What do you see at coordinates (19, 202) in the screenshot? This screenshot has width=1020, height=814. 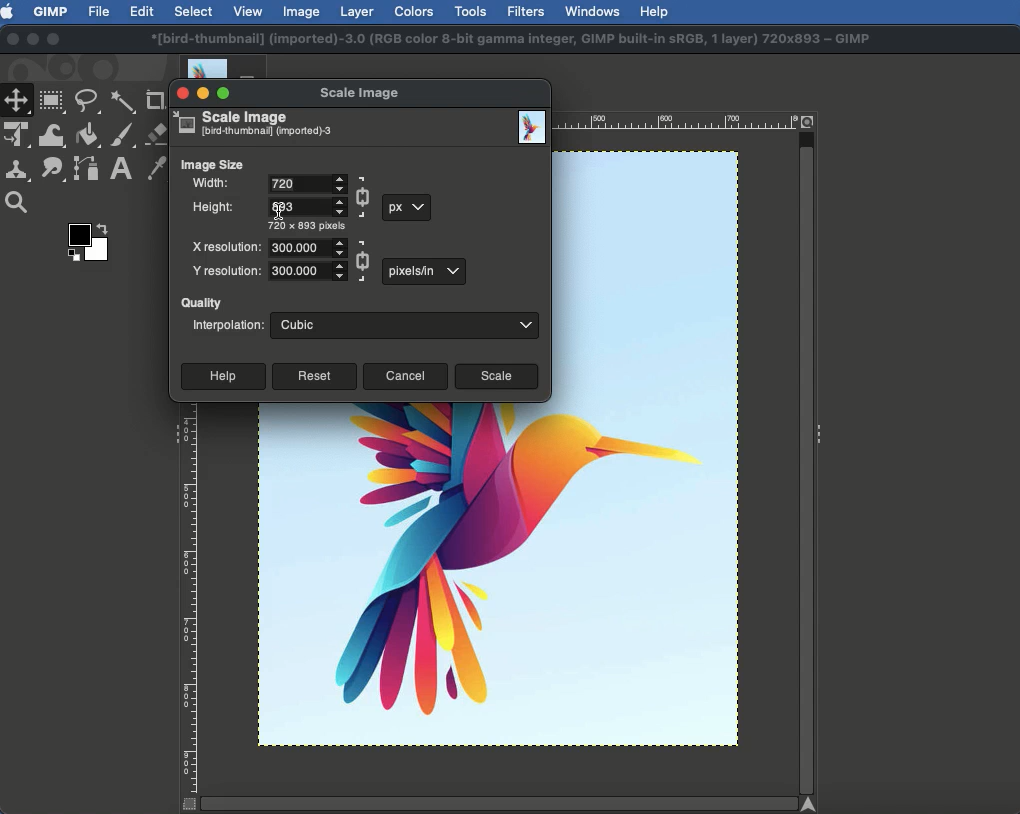 I see `Magnify` at bounding box center [19, 202].